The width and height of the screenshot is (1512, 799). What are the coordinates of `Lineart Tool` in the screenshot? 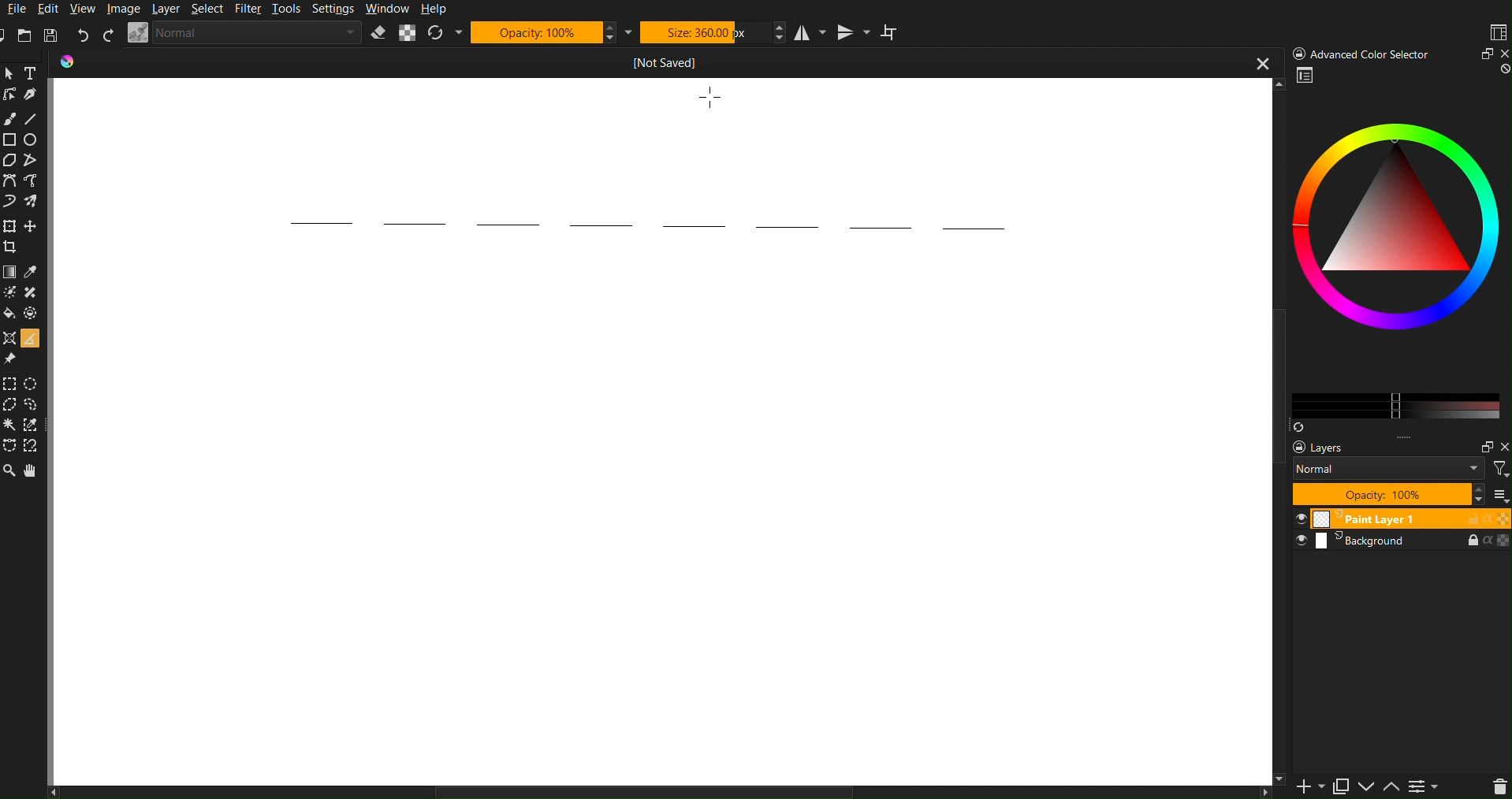 It's located at (9, 95).